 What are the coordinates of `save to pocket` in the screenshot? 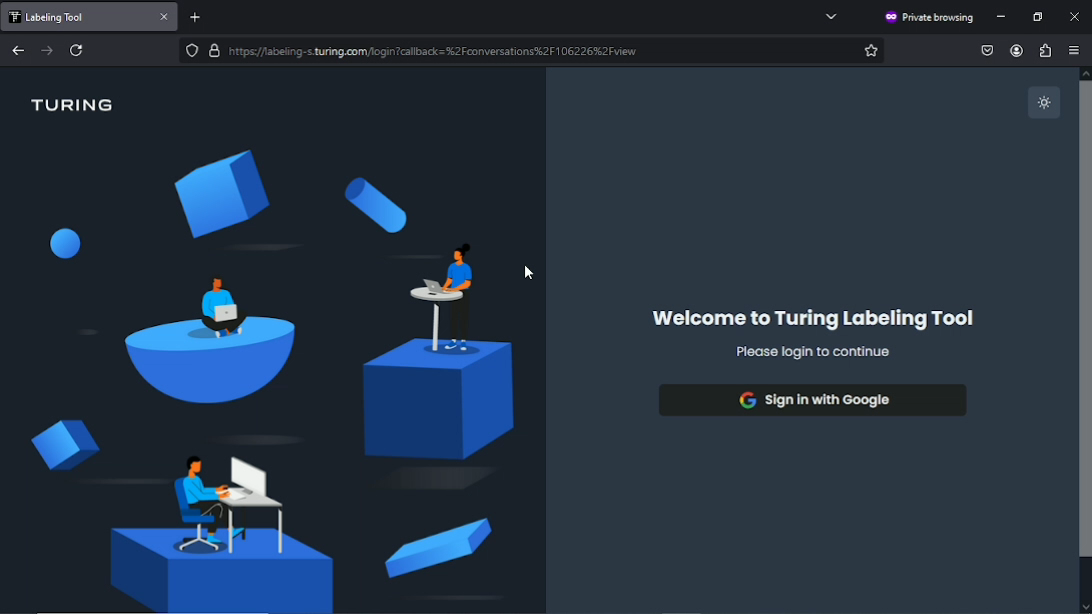 It's located at (987, 49).